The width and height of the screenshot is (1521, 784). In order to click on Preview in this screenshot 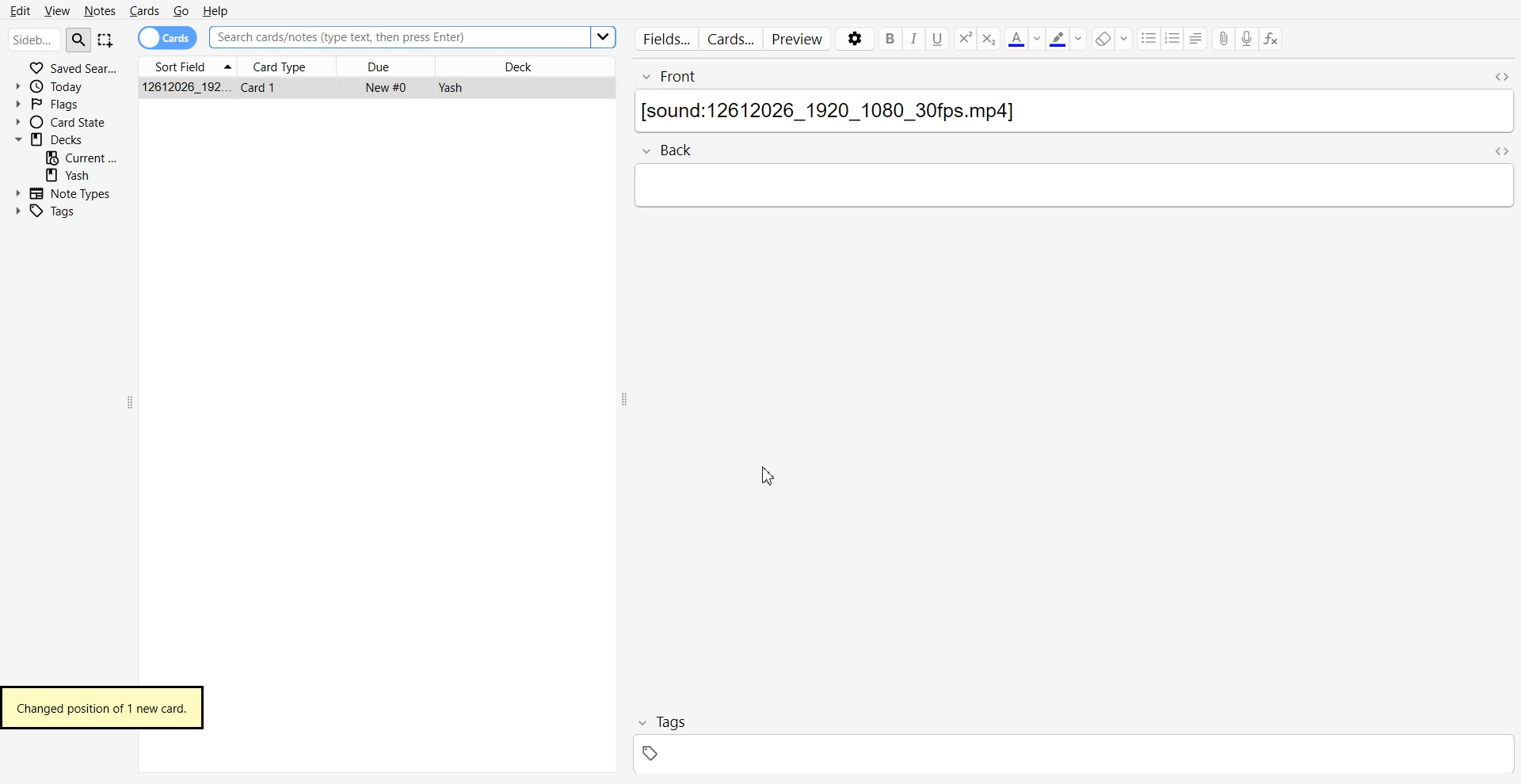, I will do `click(799, 40)`.